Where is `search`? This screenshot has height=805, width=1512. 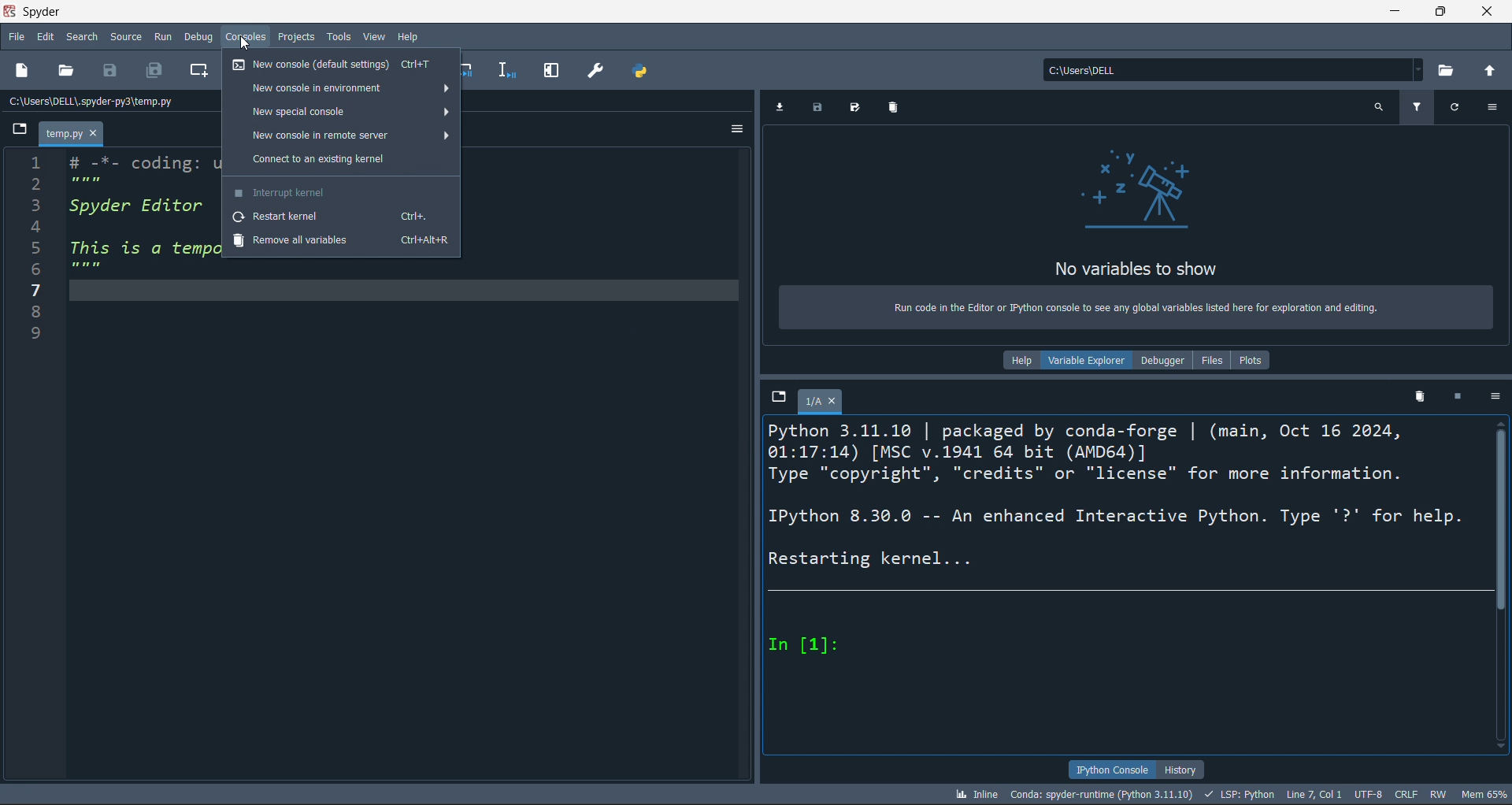
search is located at coordinates (87, 35).